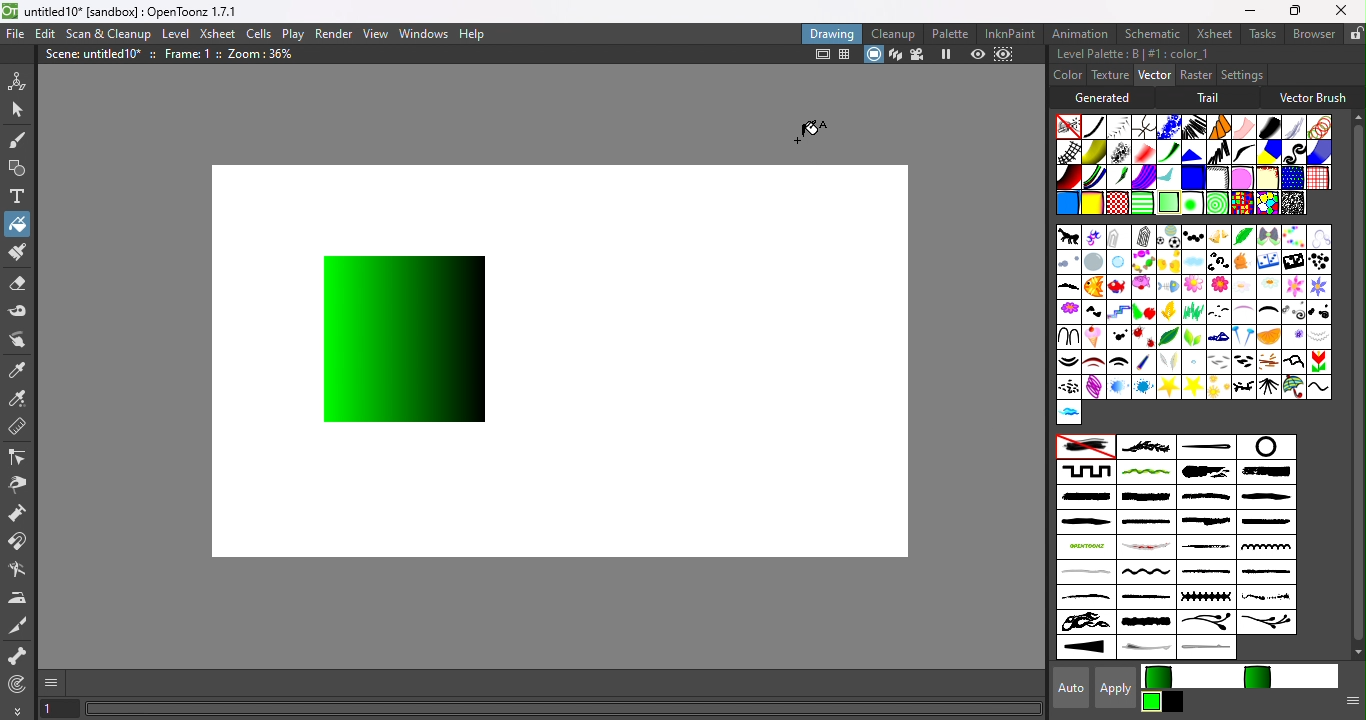 The image size is (1366, 720). What do you see at coordinates (1292, 287) in the screenshot?
I see `flow4` at bounding box center [1292, 287].